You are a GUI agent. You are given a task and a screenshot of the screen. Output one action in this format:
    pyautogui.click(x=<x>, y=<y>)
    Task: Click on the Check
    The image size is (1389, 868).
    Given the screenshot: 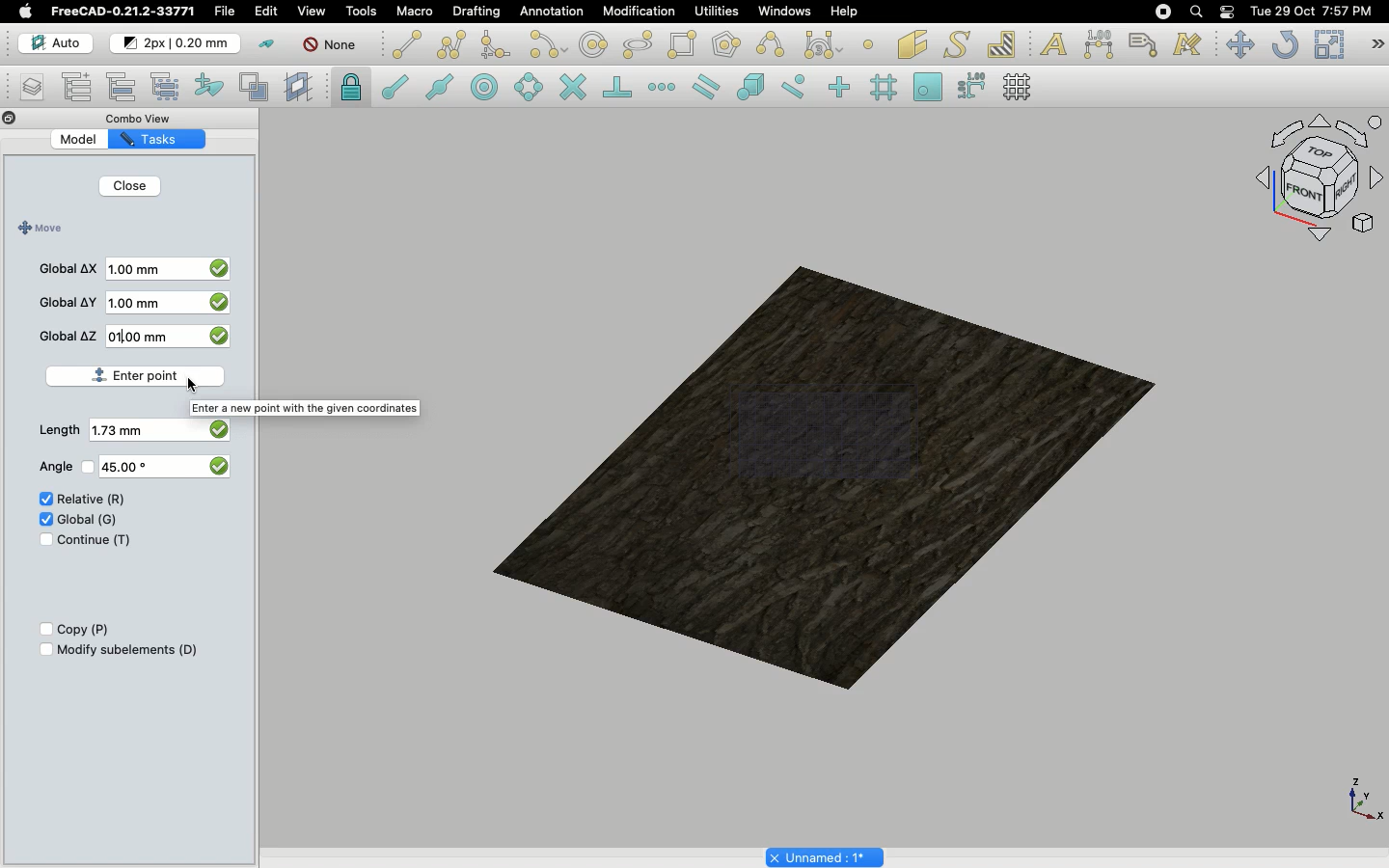 What is the action you would take?
    pyautogui.click(x=44, y=518)
    